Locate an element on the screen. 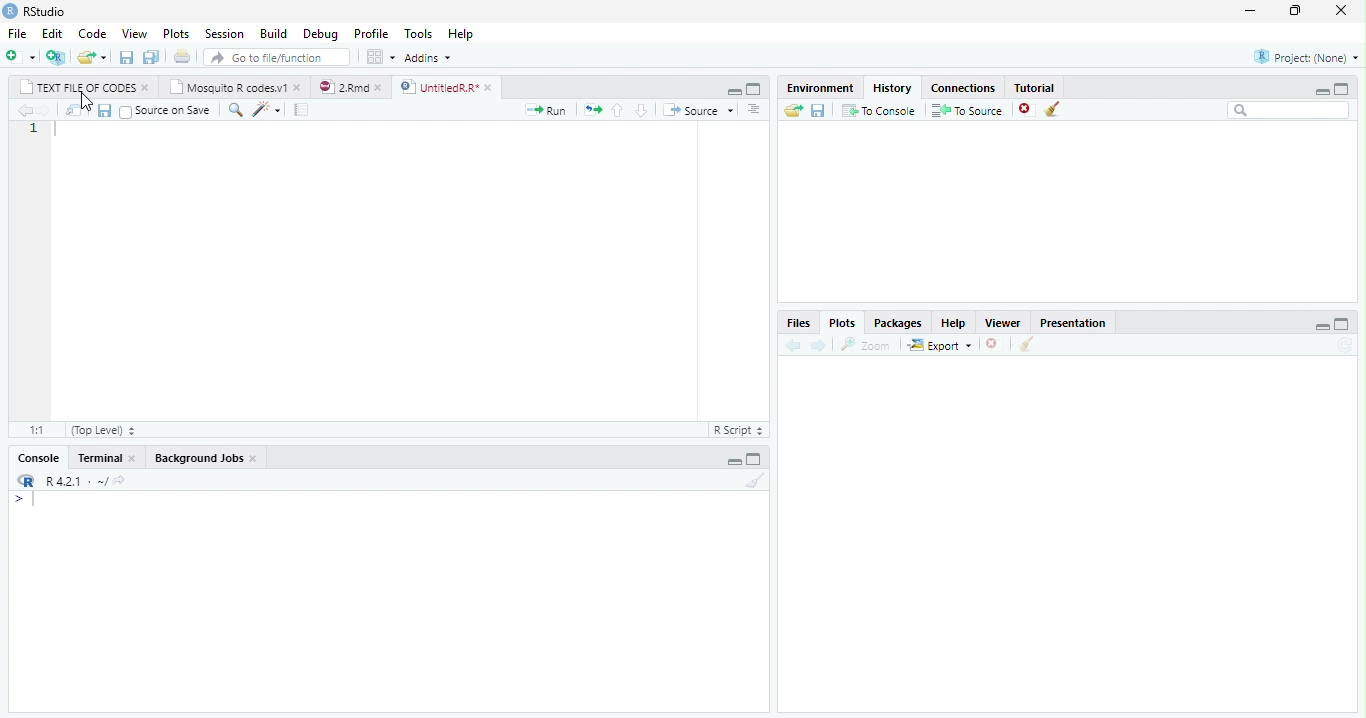  minimize is located at coordinates (733, 90).